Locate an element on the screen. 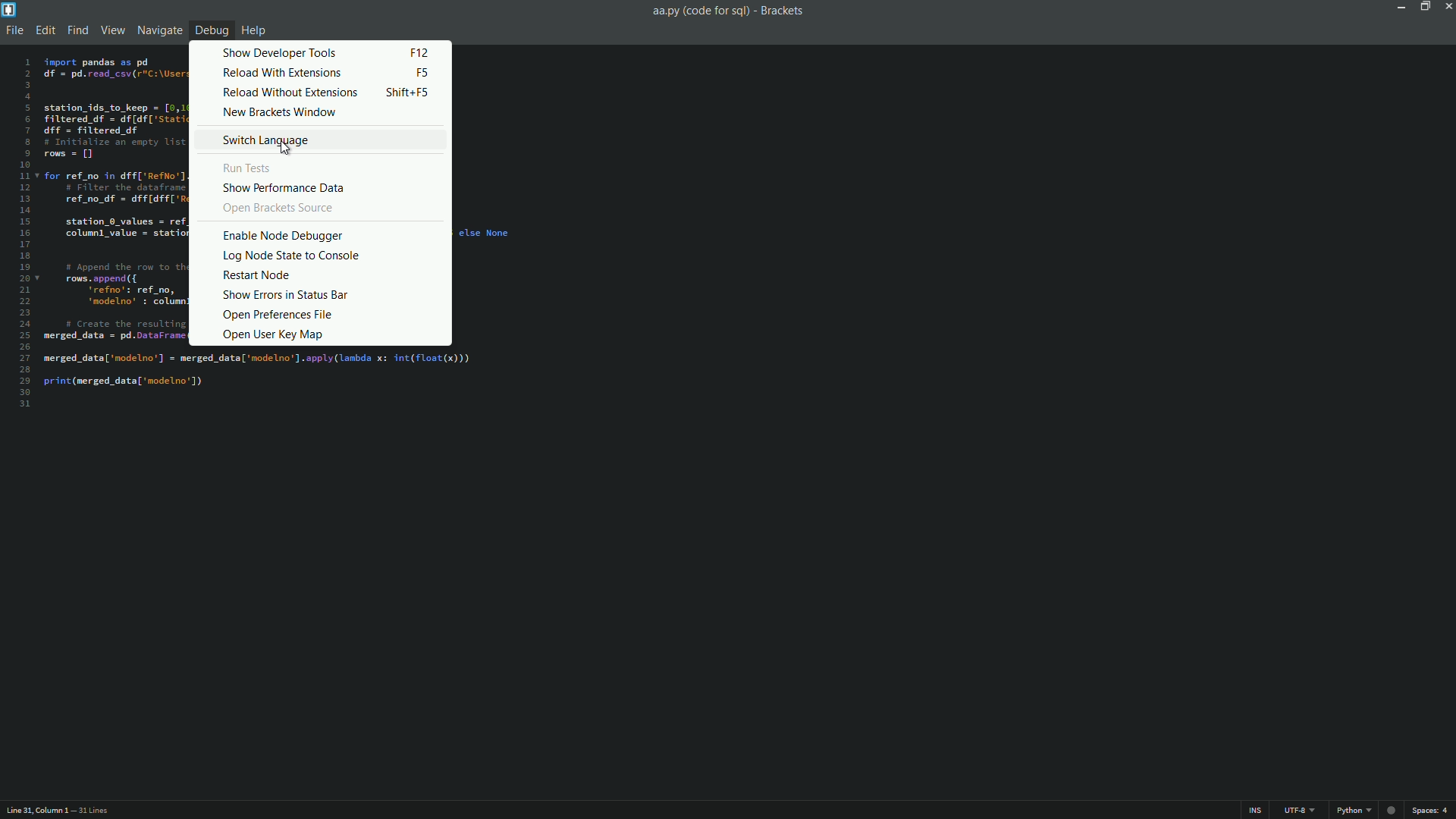 The image size is (1456, 819). show performance data is located at coordinates (285, 188).